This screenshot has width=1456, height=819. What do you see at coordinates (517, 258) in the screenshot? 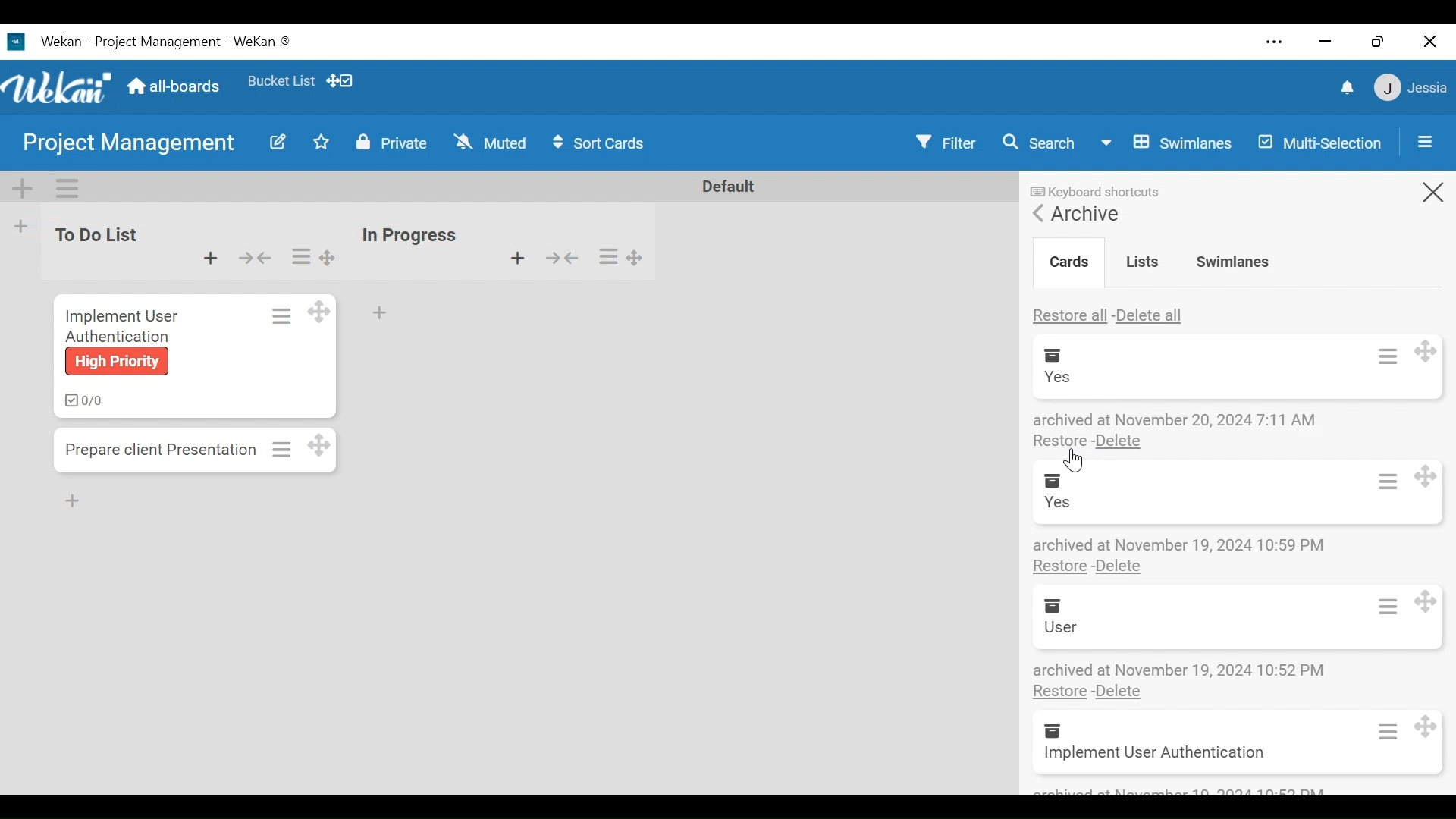
I see `Add Card to top of the list` at bounding box center [517, 258].